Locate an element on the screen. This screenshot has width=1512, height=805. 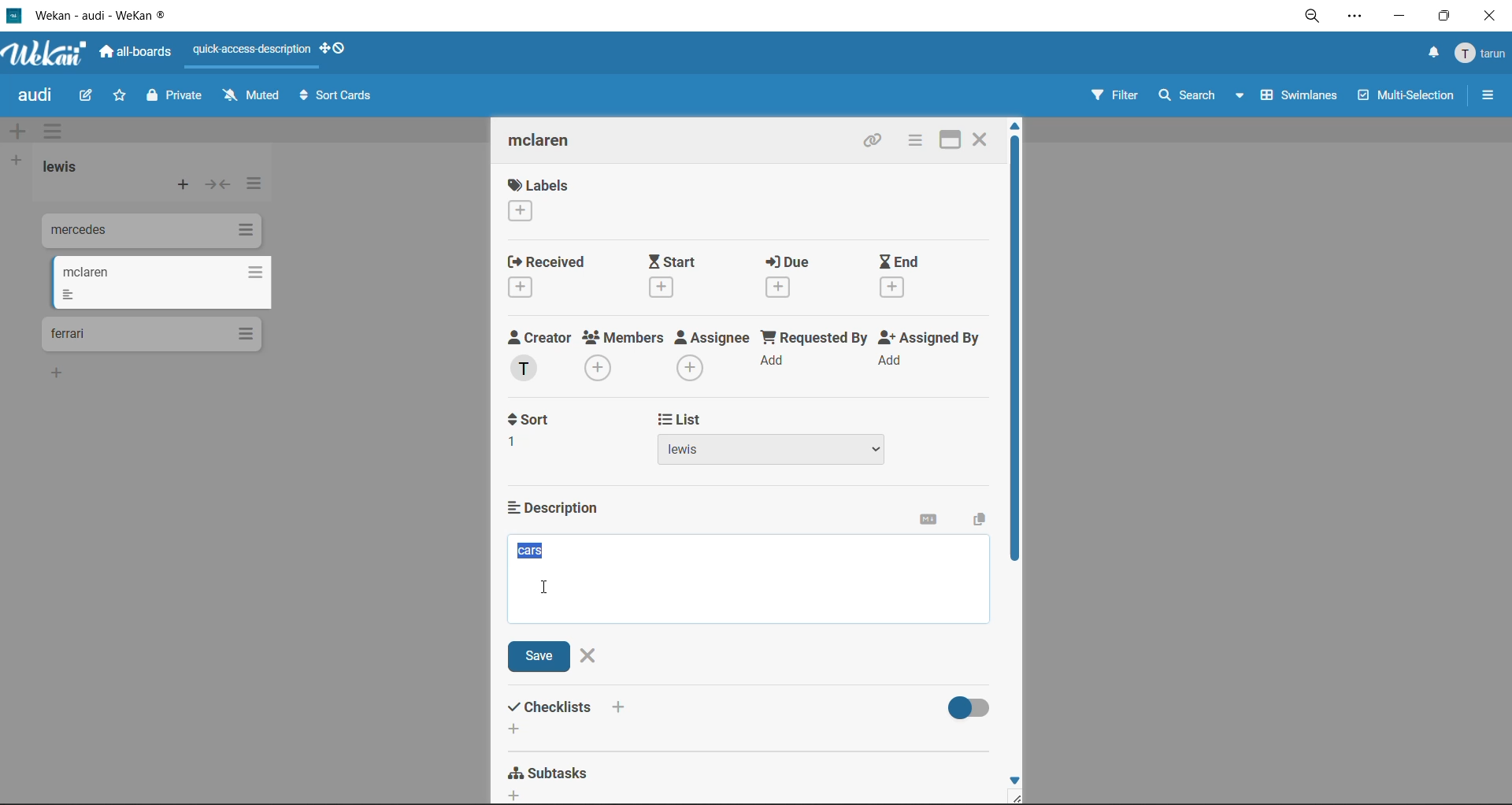
copy is located at coordinates (976, 521).